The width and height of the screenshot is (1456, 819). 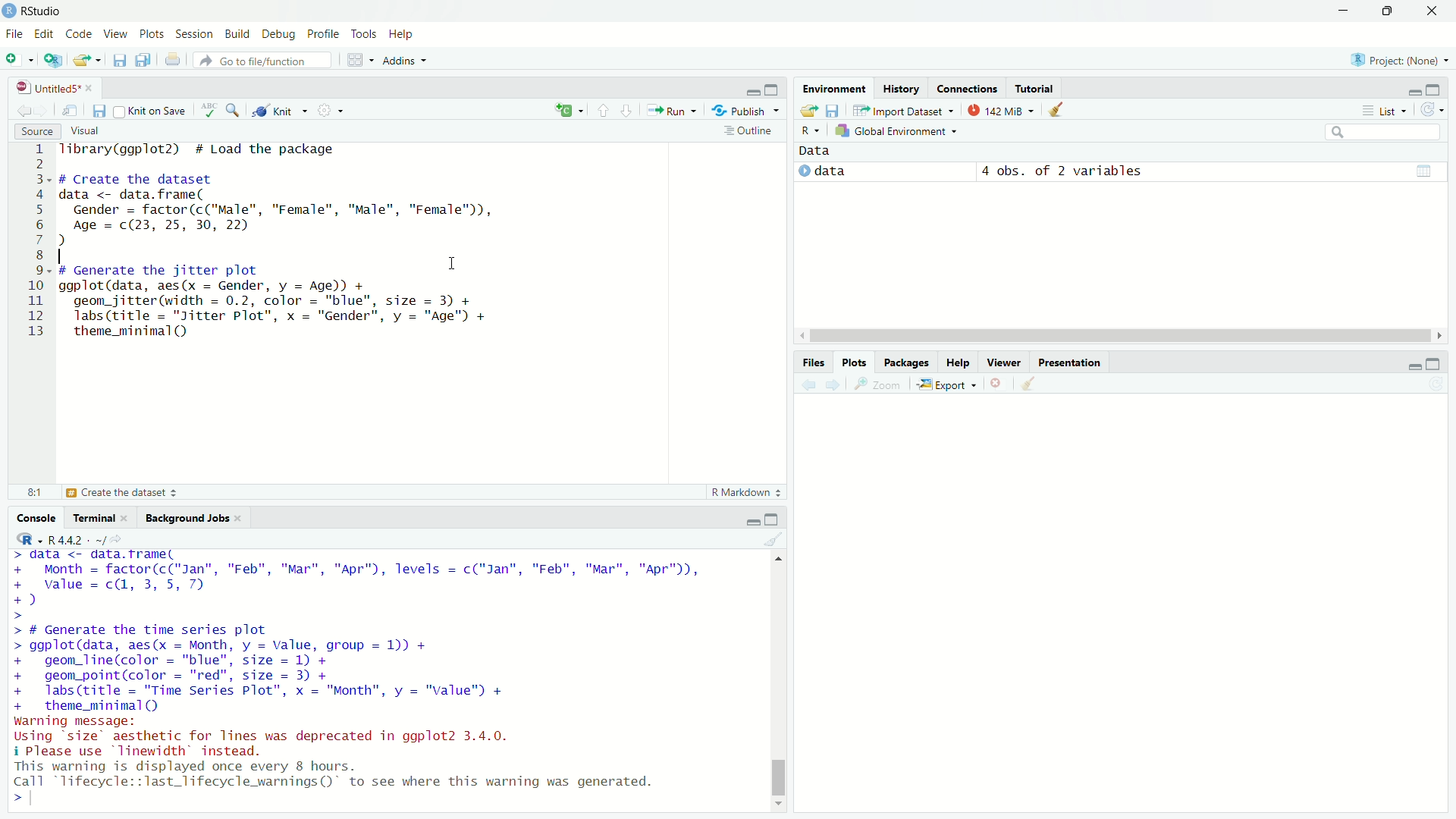 What do you see at coordinates (949, 385) in the screenshot?
I see `export` at bounding box center [949, 385].